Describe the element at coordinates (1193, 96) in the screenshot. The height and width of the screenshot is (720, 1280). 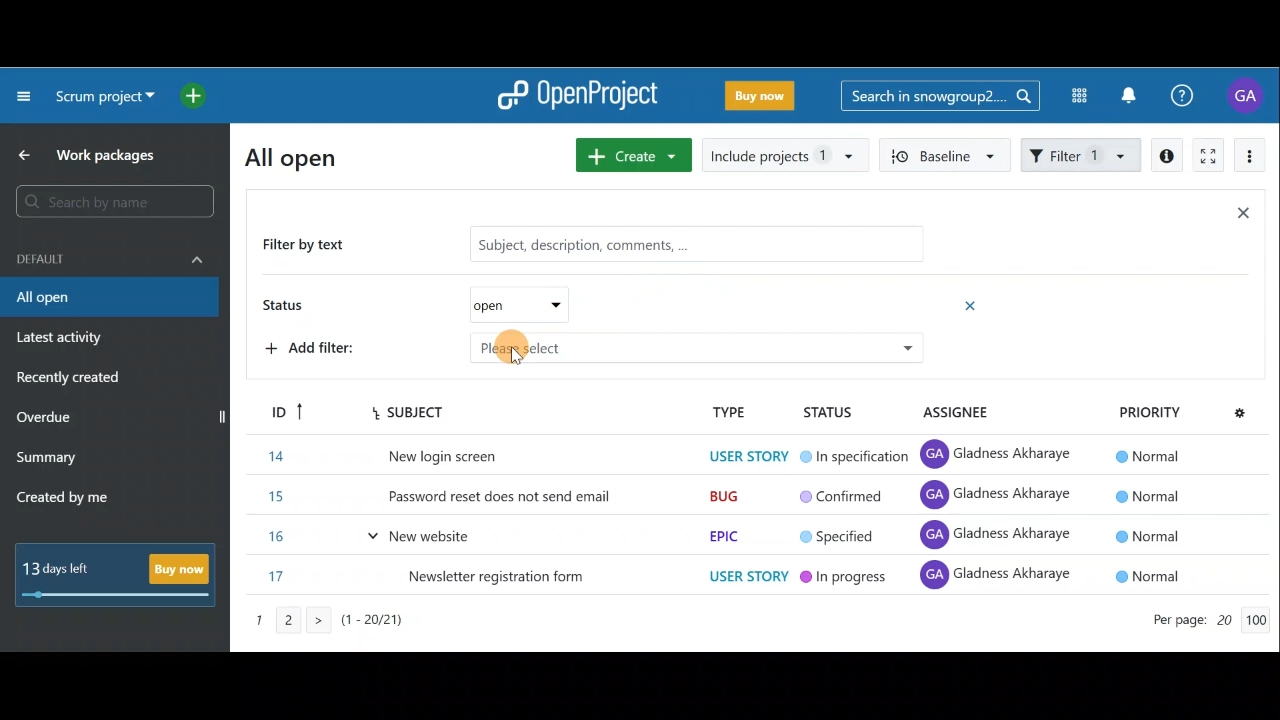
I see `Help` at that location.